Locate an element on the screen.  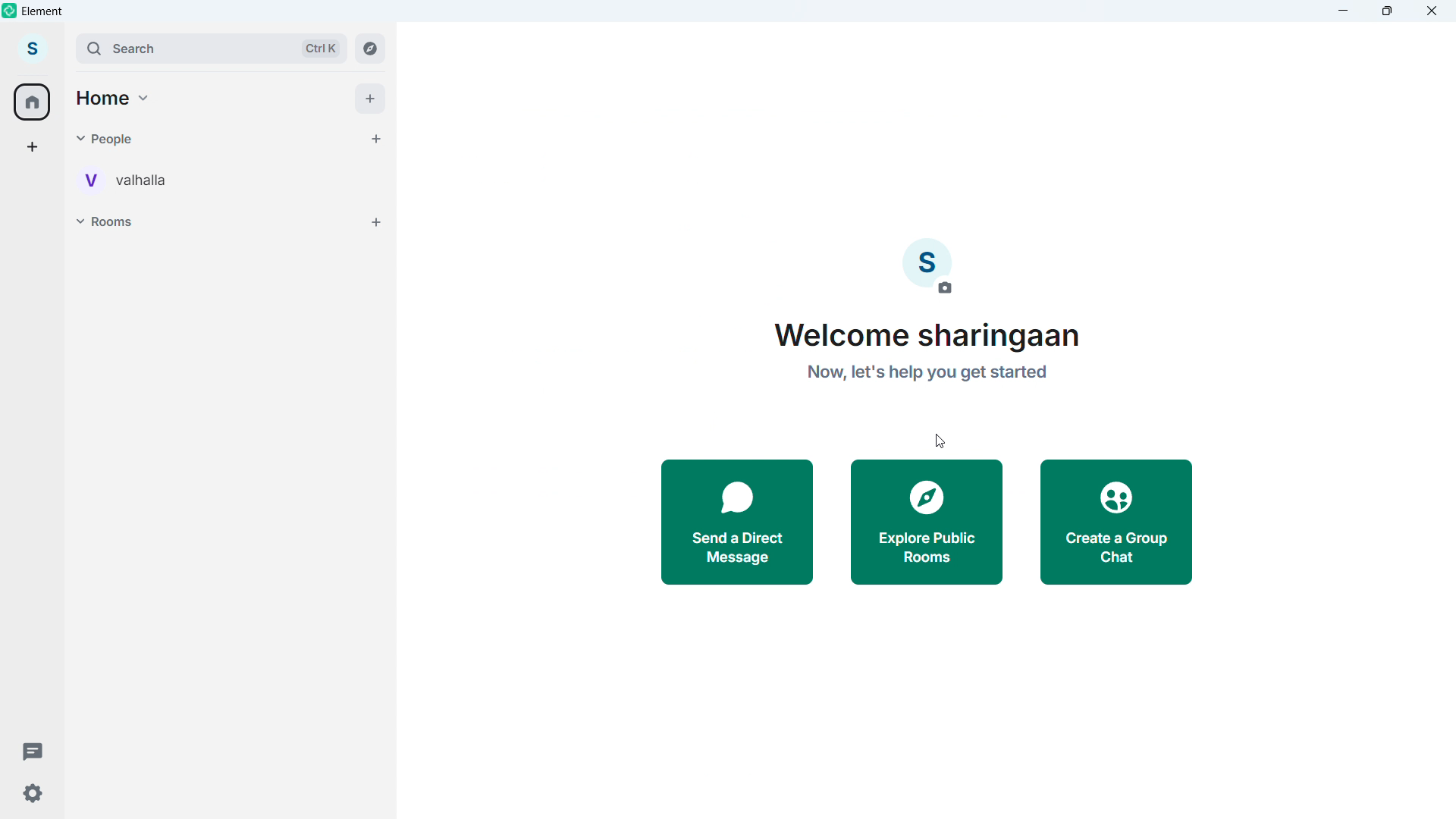
expand is located at coordinates (64, 48).